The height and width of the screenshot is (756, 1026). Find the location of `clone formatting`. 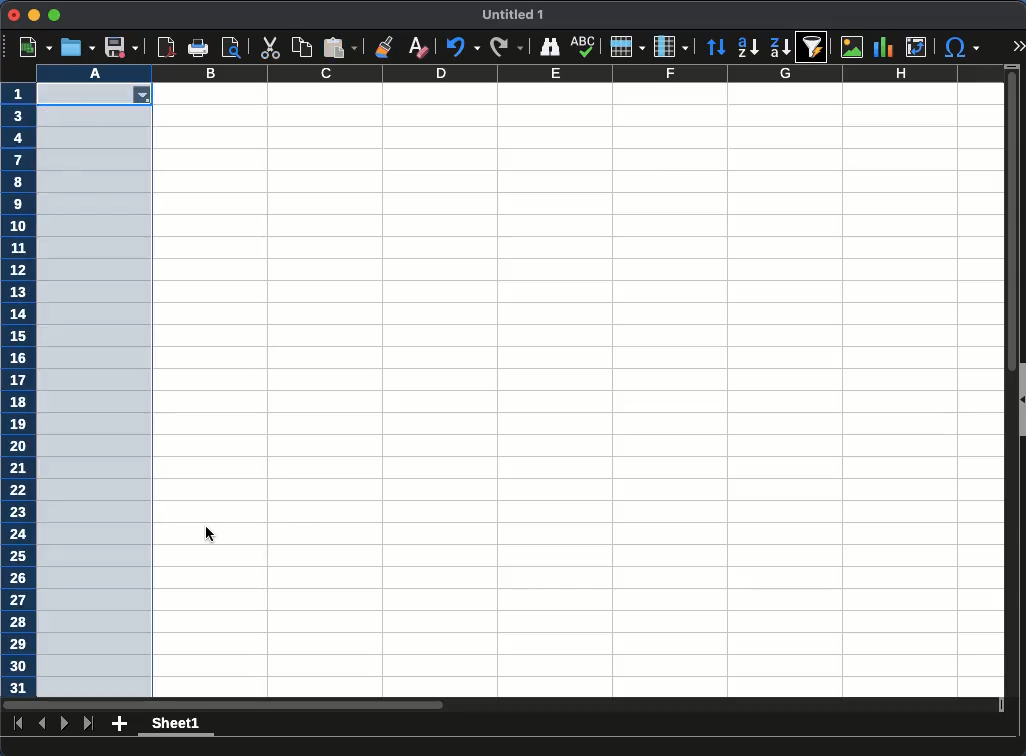

clone formatting is located at coordinates (387, 46).